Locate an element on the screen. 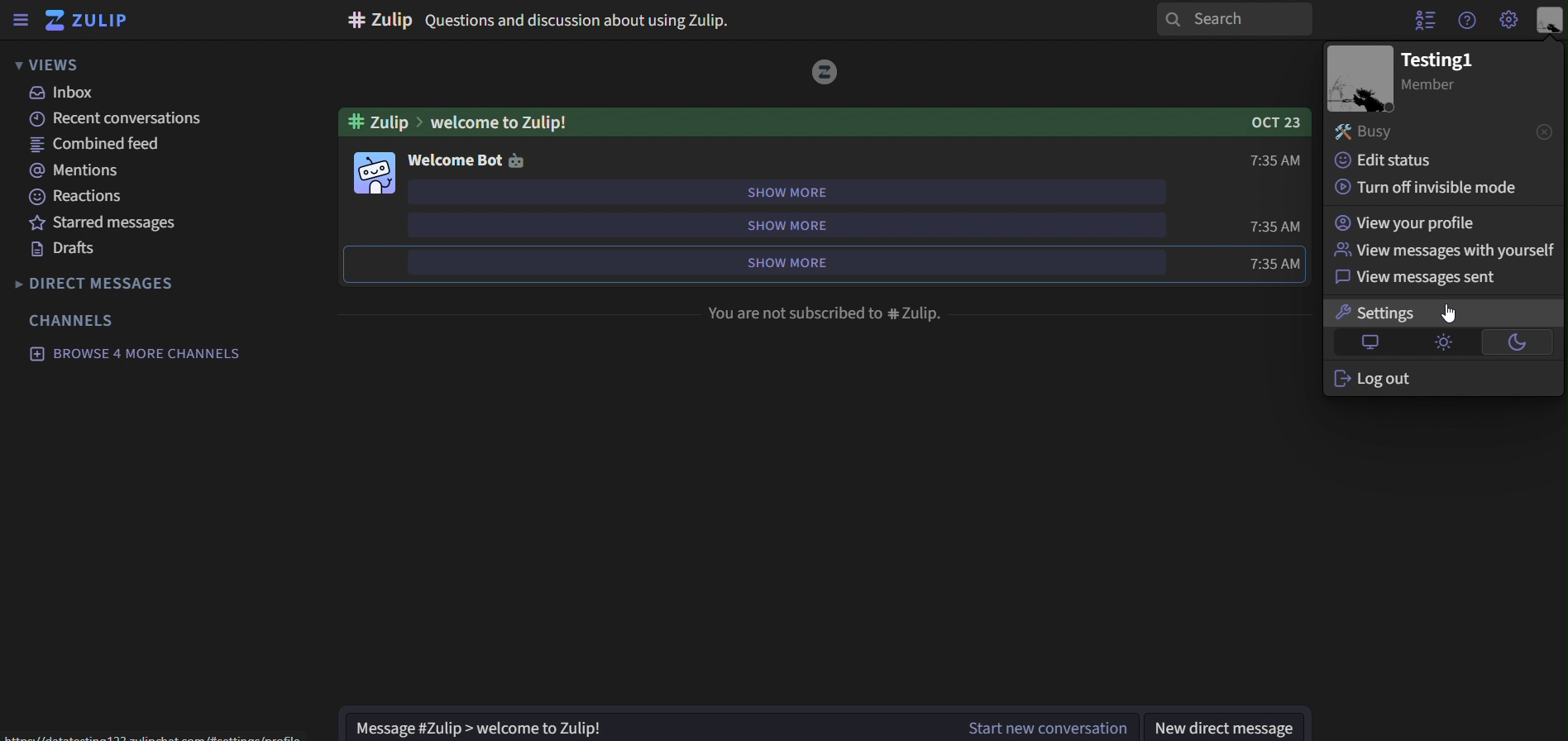 Image resolution: width=1568 pixels, height=741 pixels. reactions is located at coordinates (83, 197).